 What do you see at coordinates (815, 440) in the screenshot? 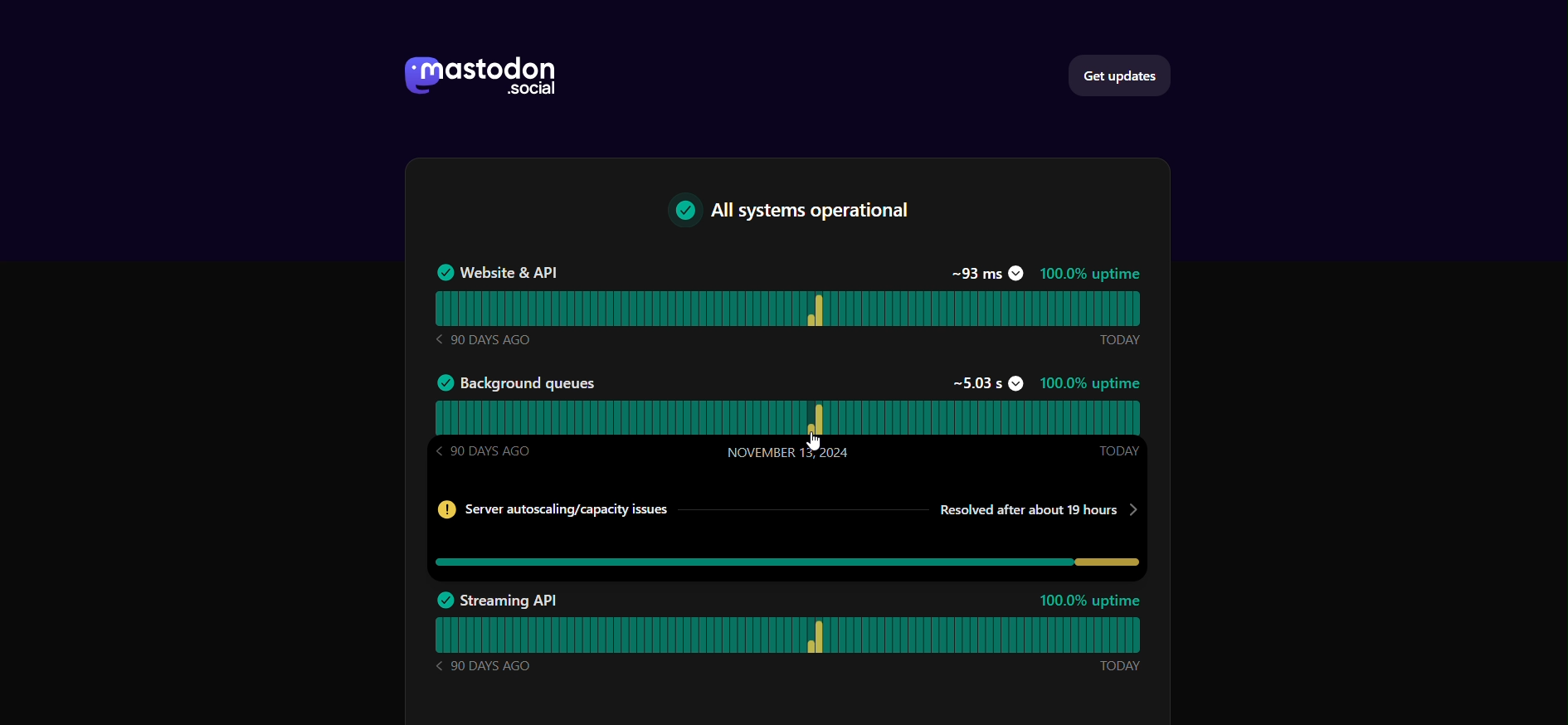
I see `Cursor` at bounding box center [815, 440].